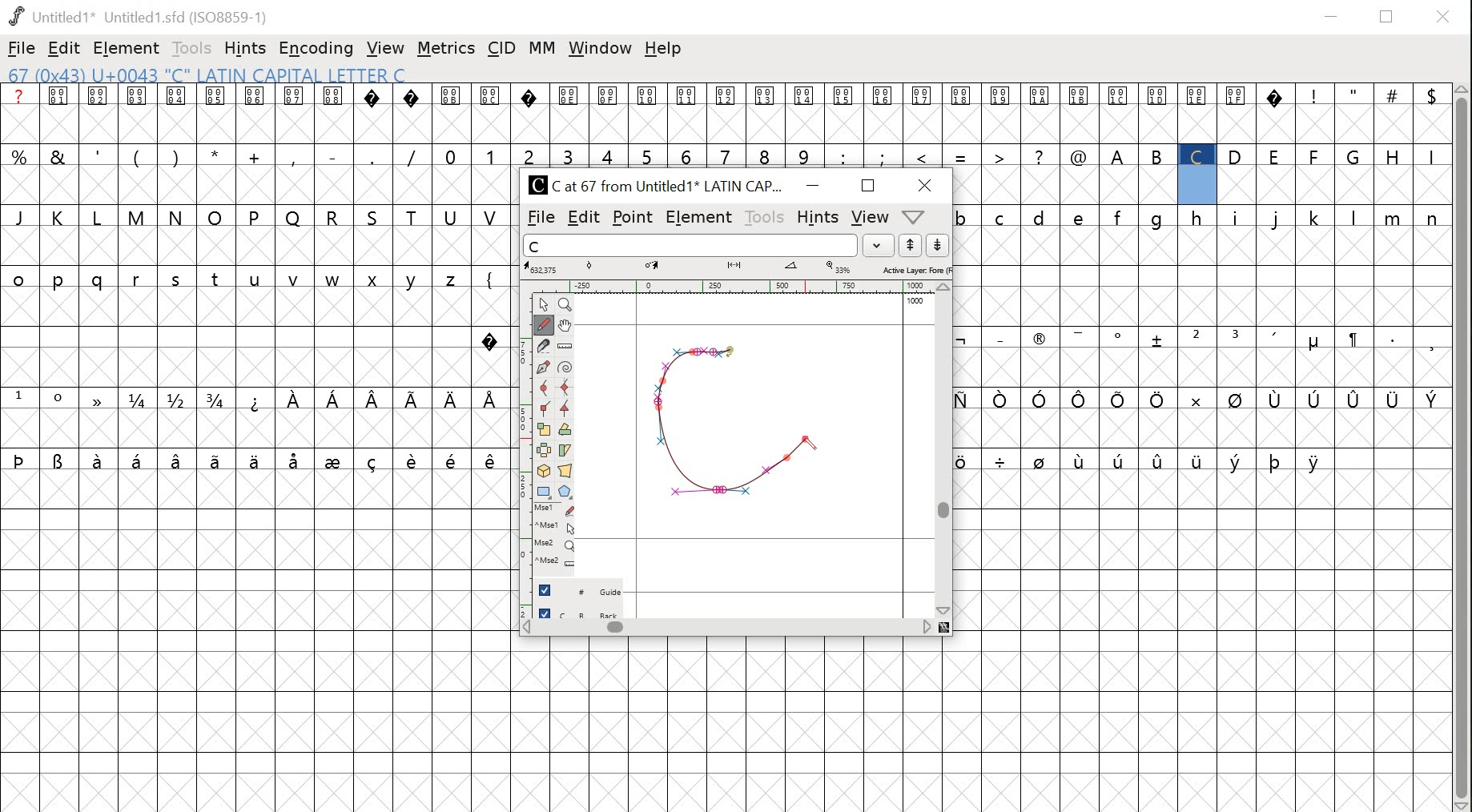 The image size is (1472, 812). Describe the element at coordinates (501, 46) in the screenshot. I see `cid` at that location.